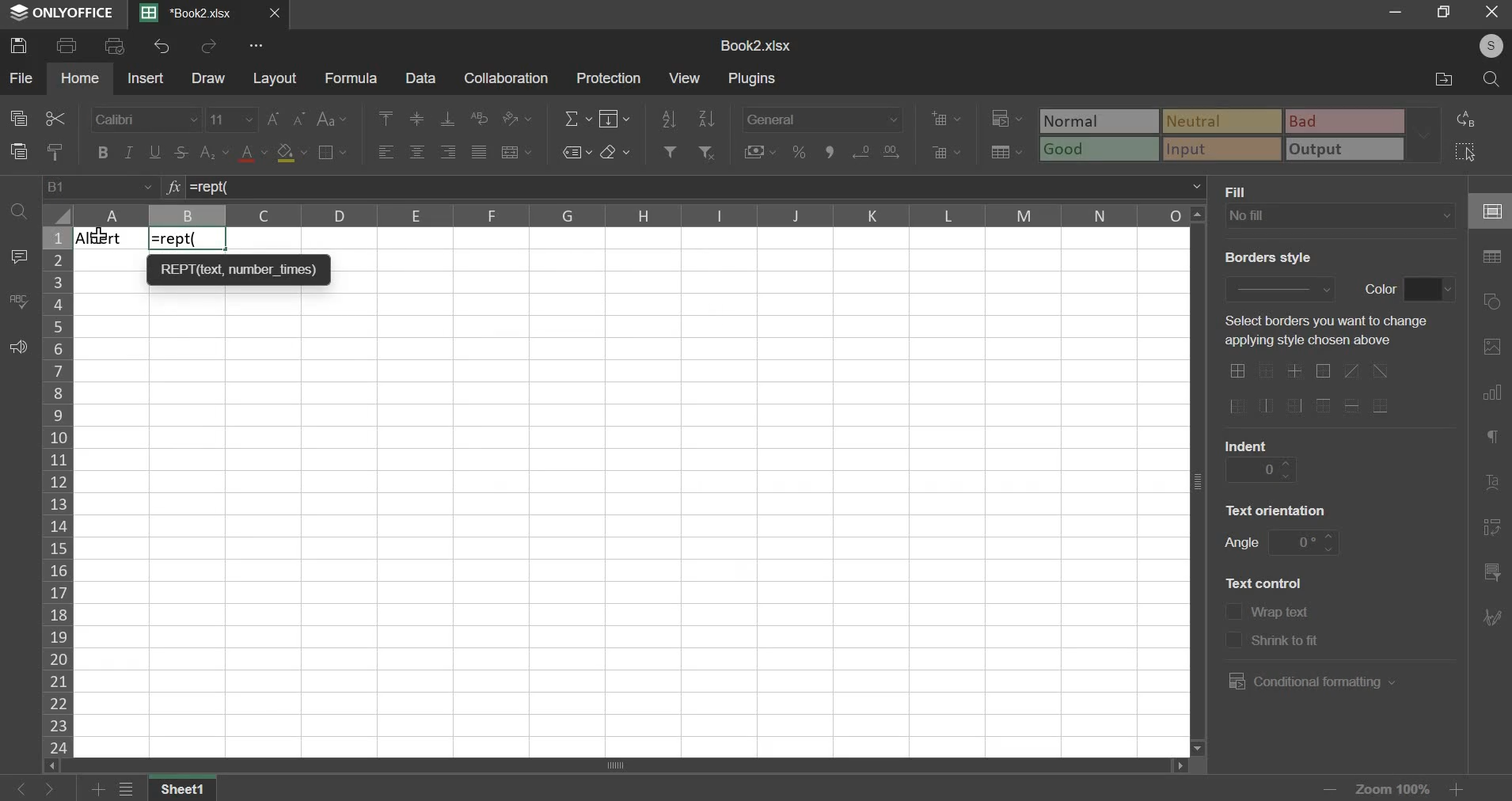  I want to click on wrap text, so click(478, 118).